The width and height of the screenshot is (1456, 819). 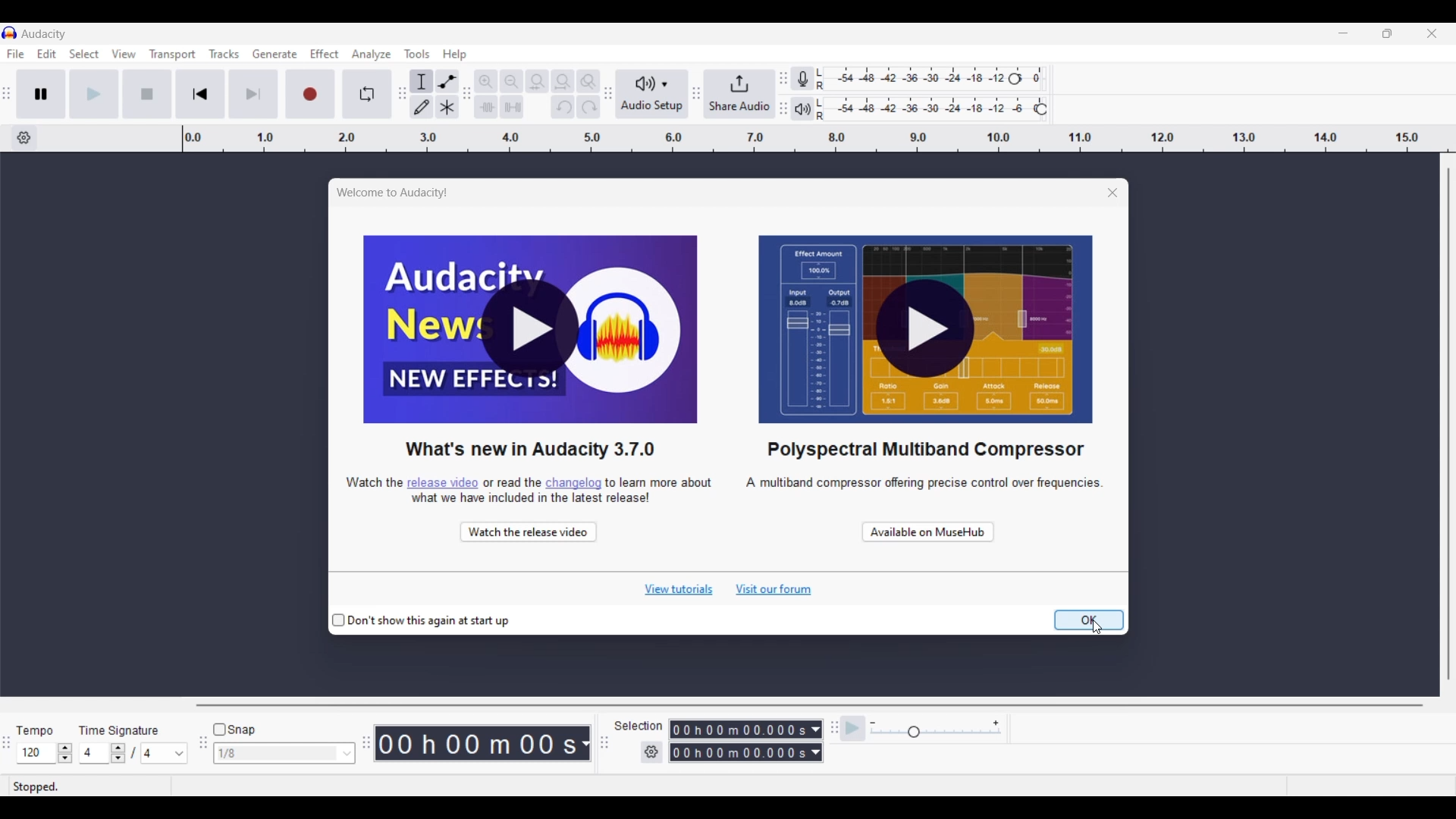 What do you see at coordinates (512, 107) in the screenshot?
I see `Silence audio selection` at bounding box center [512, 107].